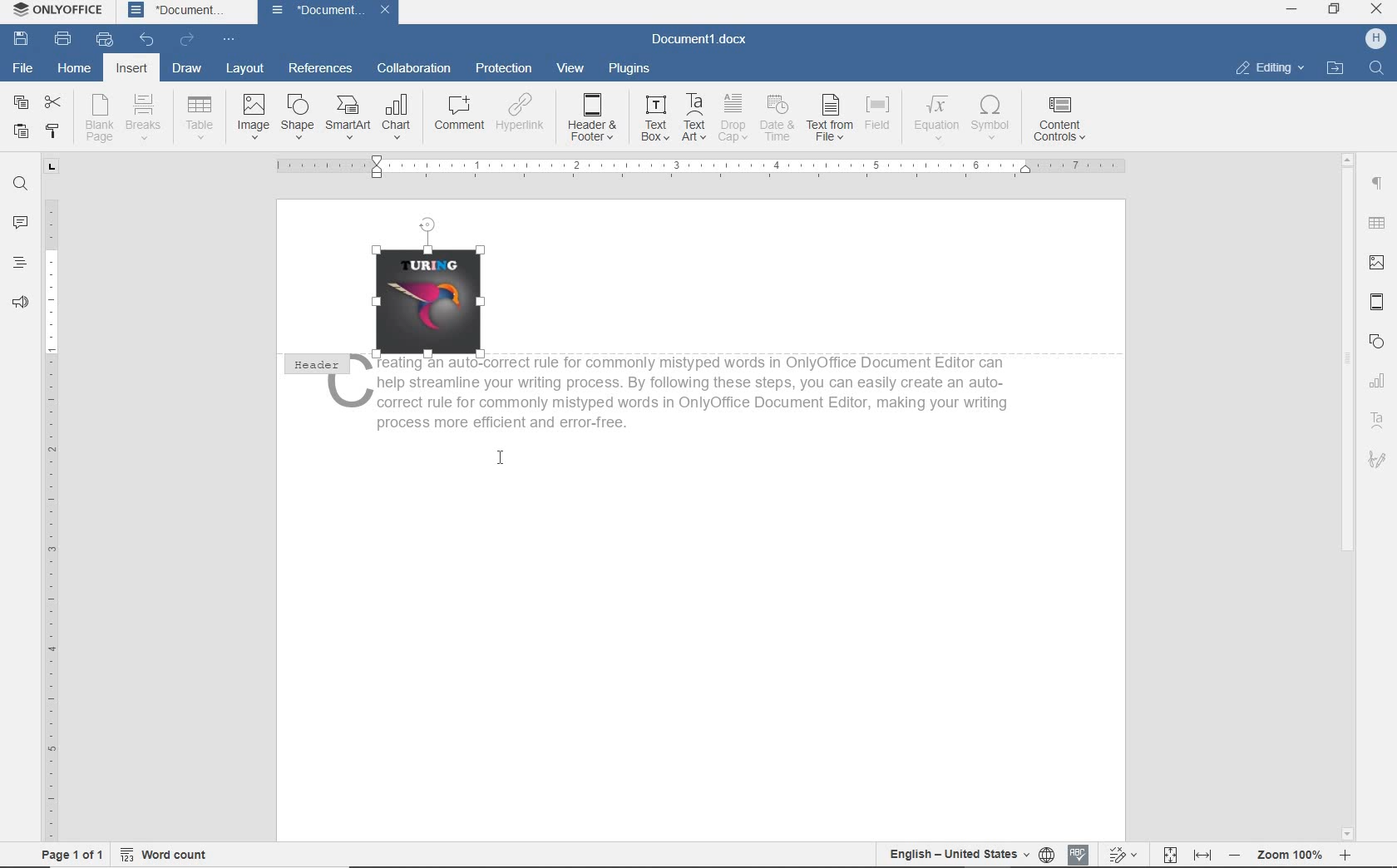 The width and height of the screenshot is (1397, 868). I want to click on selelct language, so click(1048, 855).